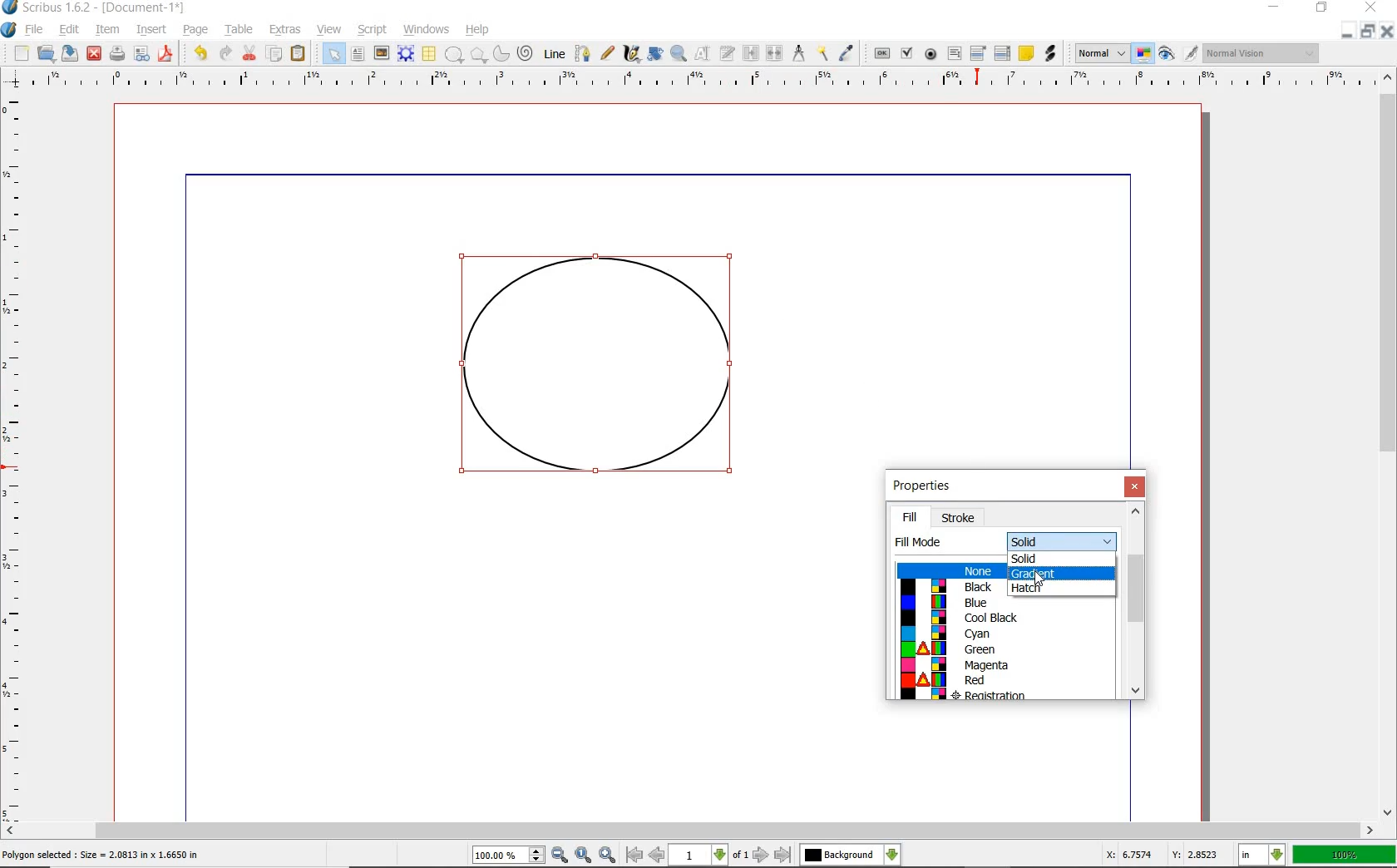  What do you see at coordinates (944, 586) in the screenshot?
I see `color` at bounding box center [944, 586].